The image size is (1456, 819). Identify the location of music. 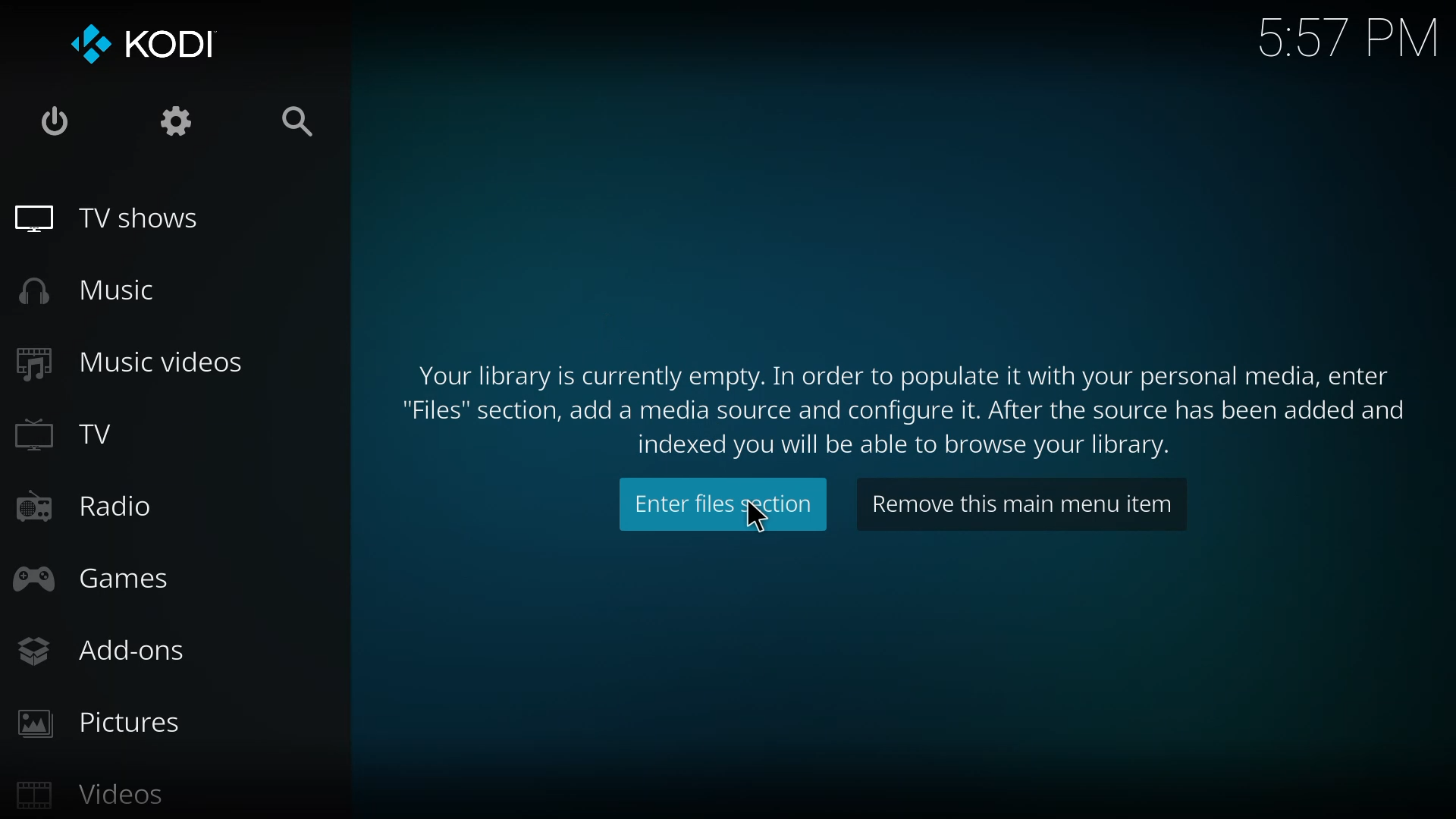
(97, 290).